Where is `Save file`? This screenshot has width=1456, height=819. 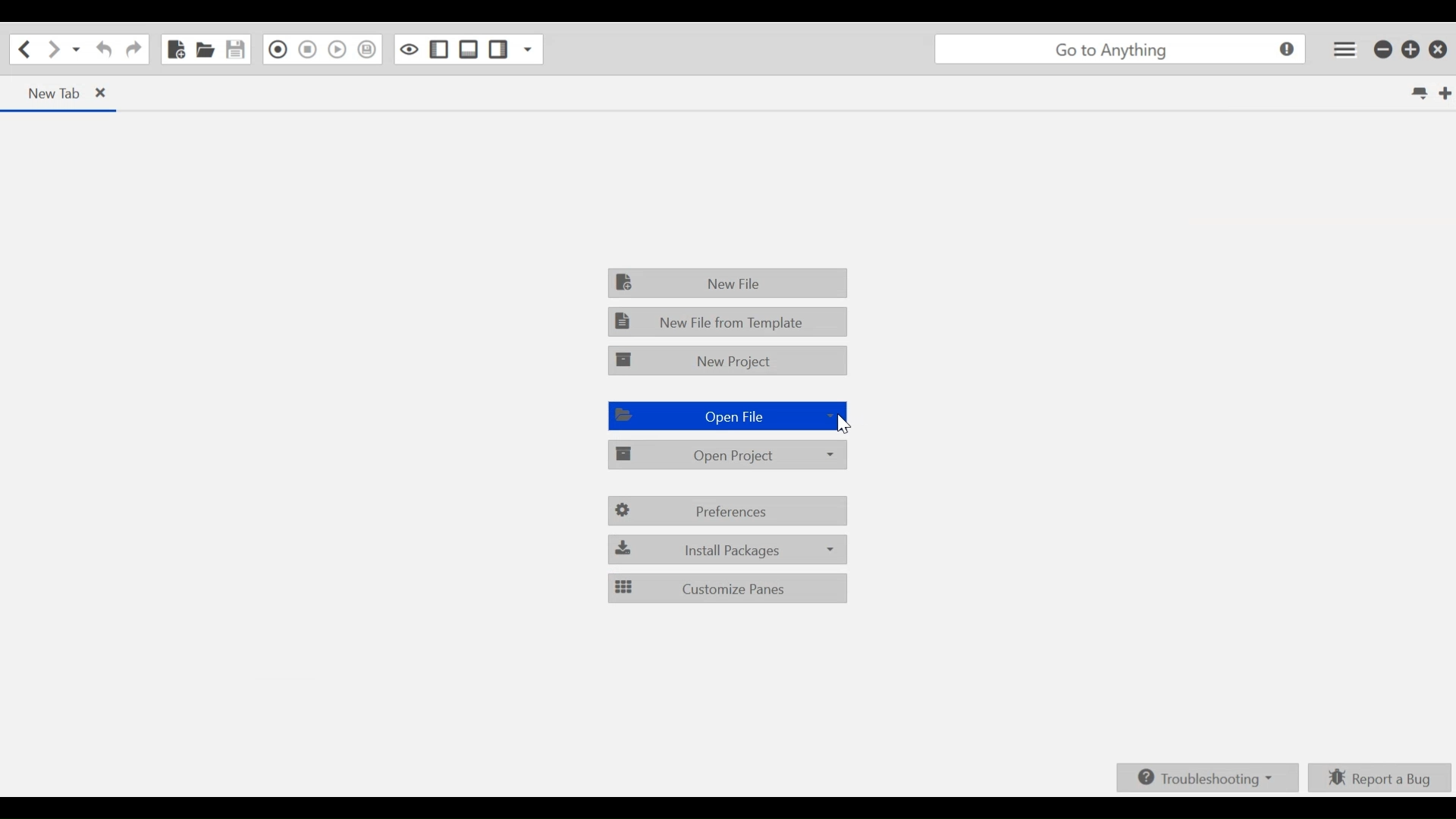 Save file is located at coordinates (236, 50).